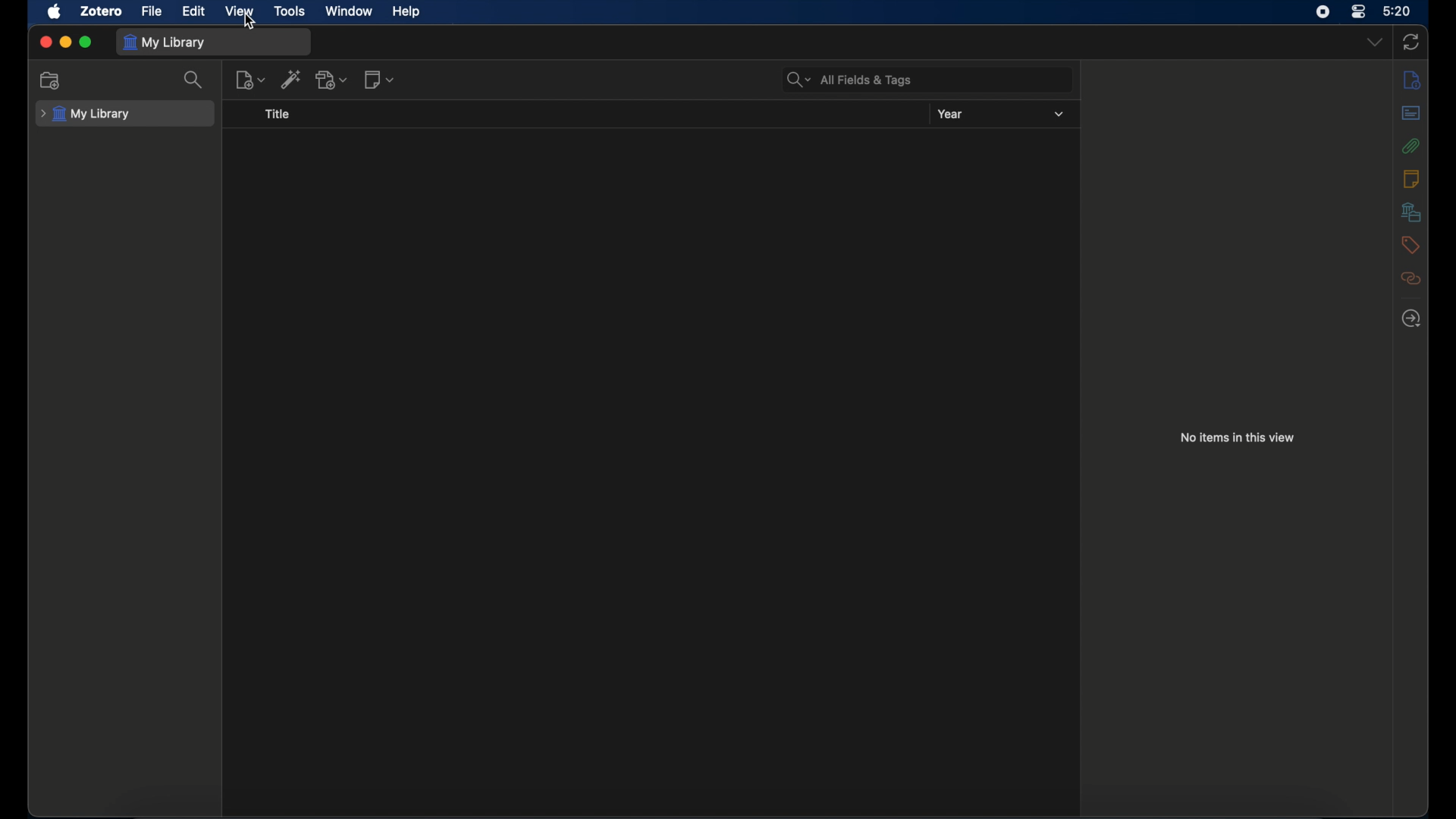 This screenshot has width=1456, height=819. What do you see at coordinates (290, 11) in the screenshot?
I see `tools` at bounding box center [290, 11].